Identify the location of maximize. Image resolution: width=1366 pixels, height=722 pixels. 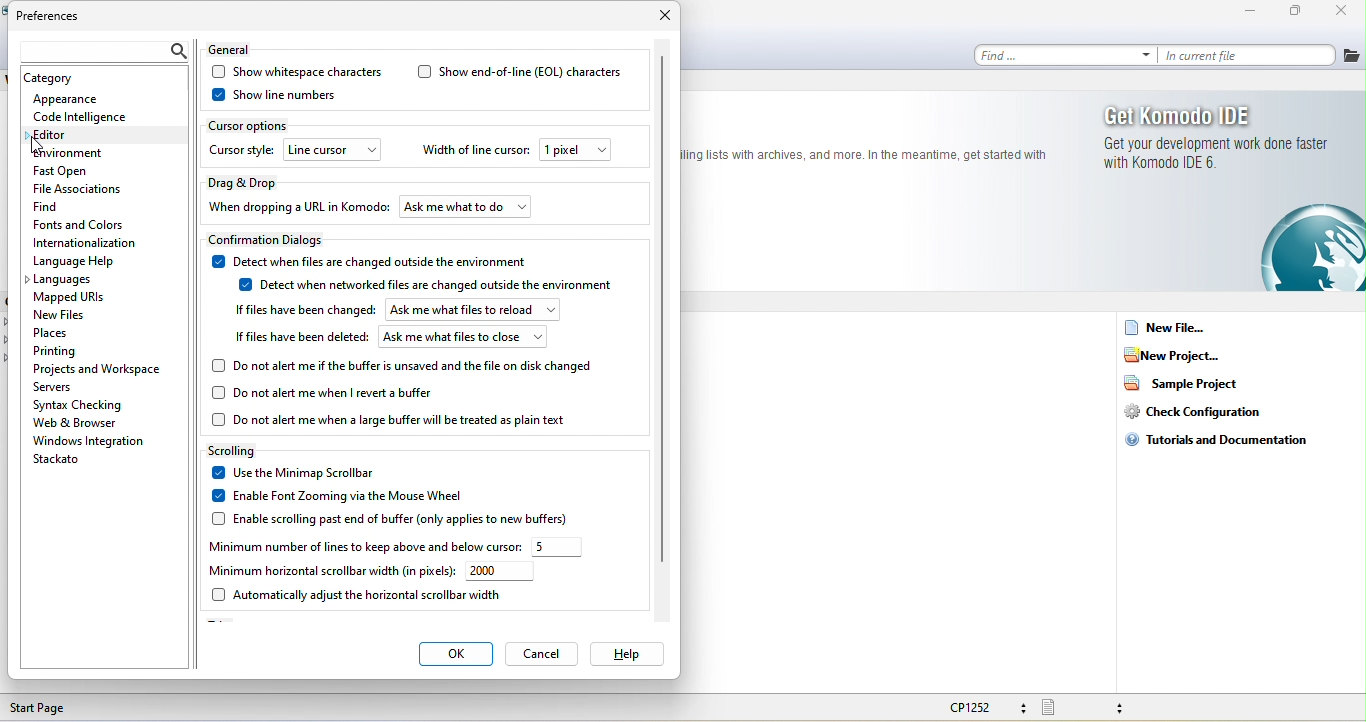
(1300, 11).